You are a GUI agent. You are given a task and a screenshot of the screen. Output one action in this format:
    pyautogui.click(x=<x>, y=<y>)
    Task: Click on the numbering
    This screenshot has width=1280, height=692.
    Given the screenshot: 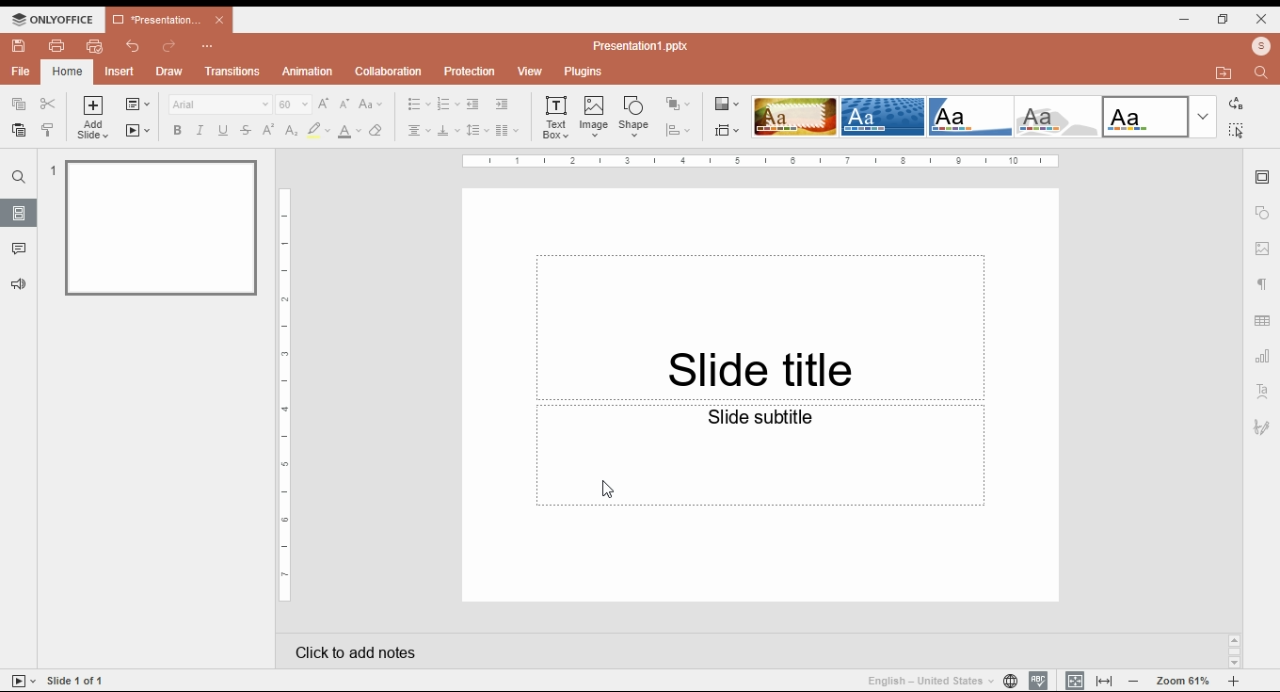 What is the action you would take?
    pyautogui.click(x=448, y=105)
    